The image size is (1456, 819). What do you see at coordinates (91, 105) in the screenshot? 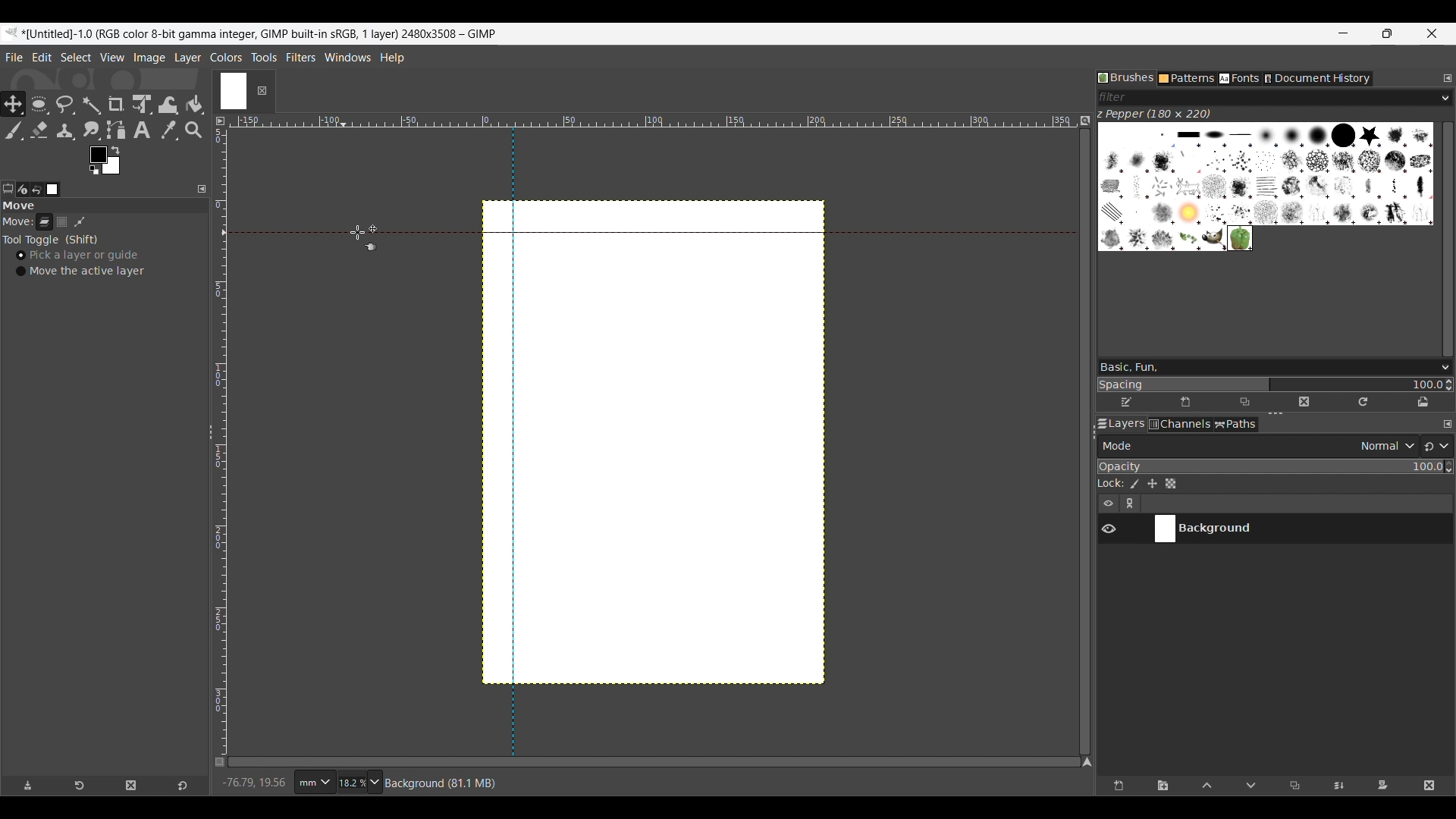
I see `Fuzzy select tool` at bounding box center [91, 105].